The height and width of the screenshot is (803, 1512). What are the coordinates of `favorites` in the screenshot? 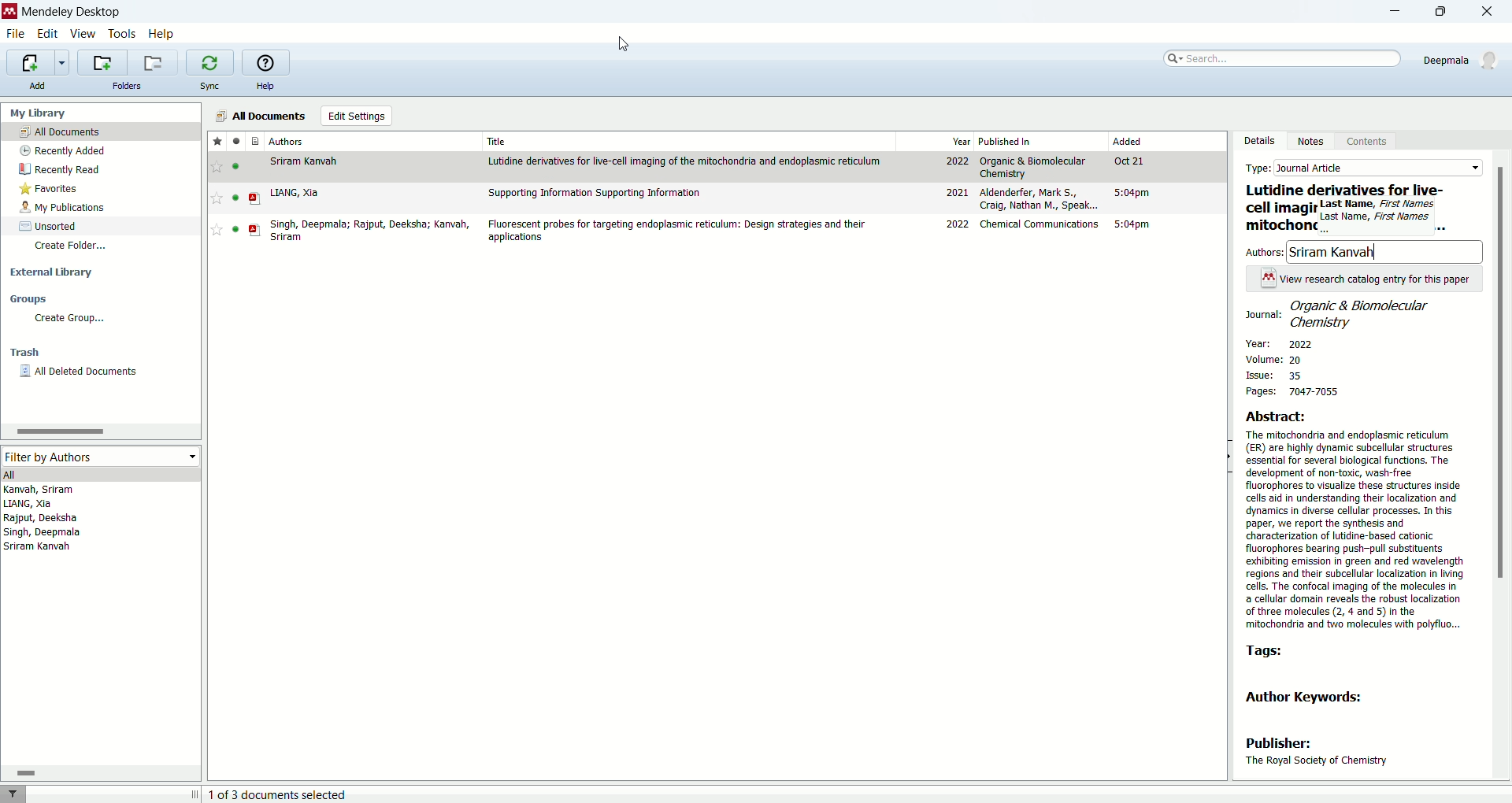 It's located at (50, 191).